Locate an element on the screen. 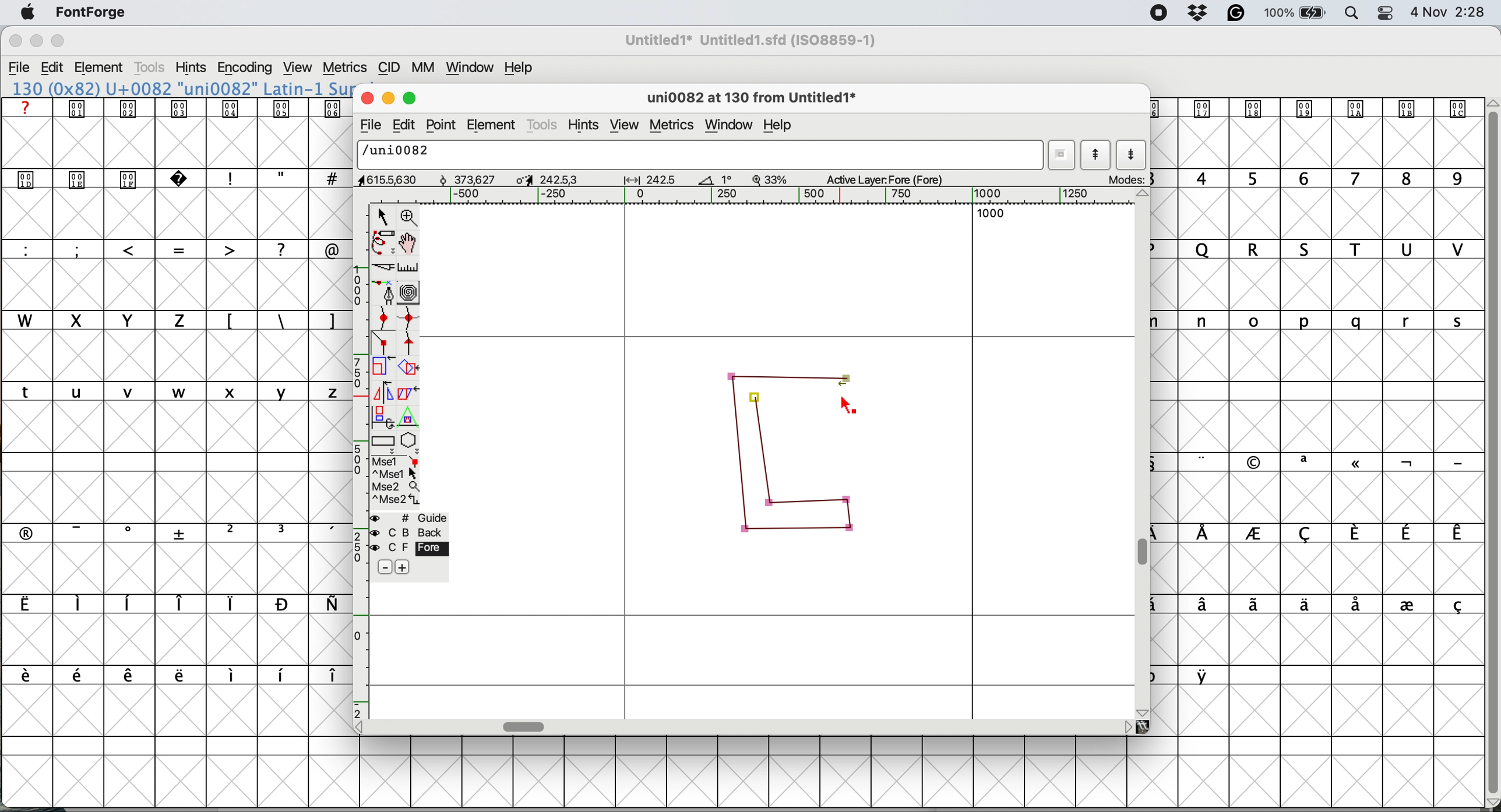 Image resolution: width=1501 pixels, height=812 pixels. cid is located at coordinates (389, 68).